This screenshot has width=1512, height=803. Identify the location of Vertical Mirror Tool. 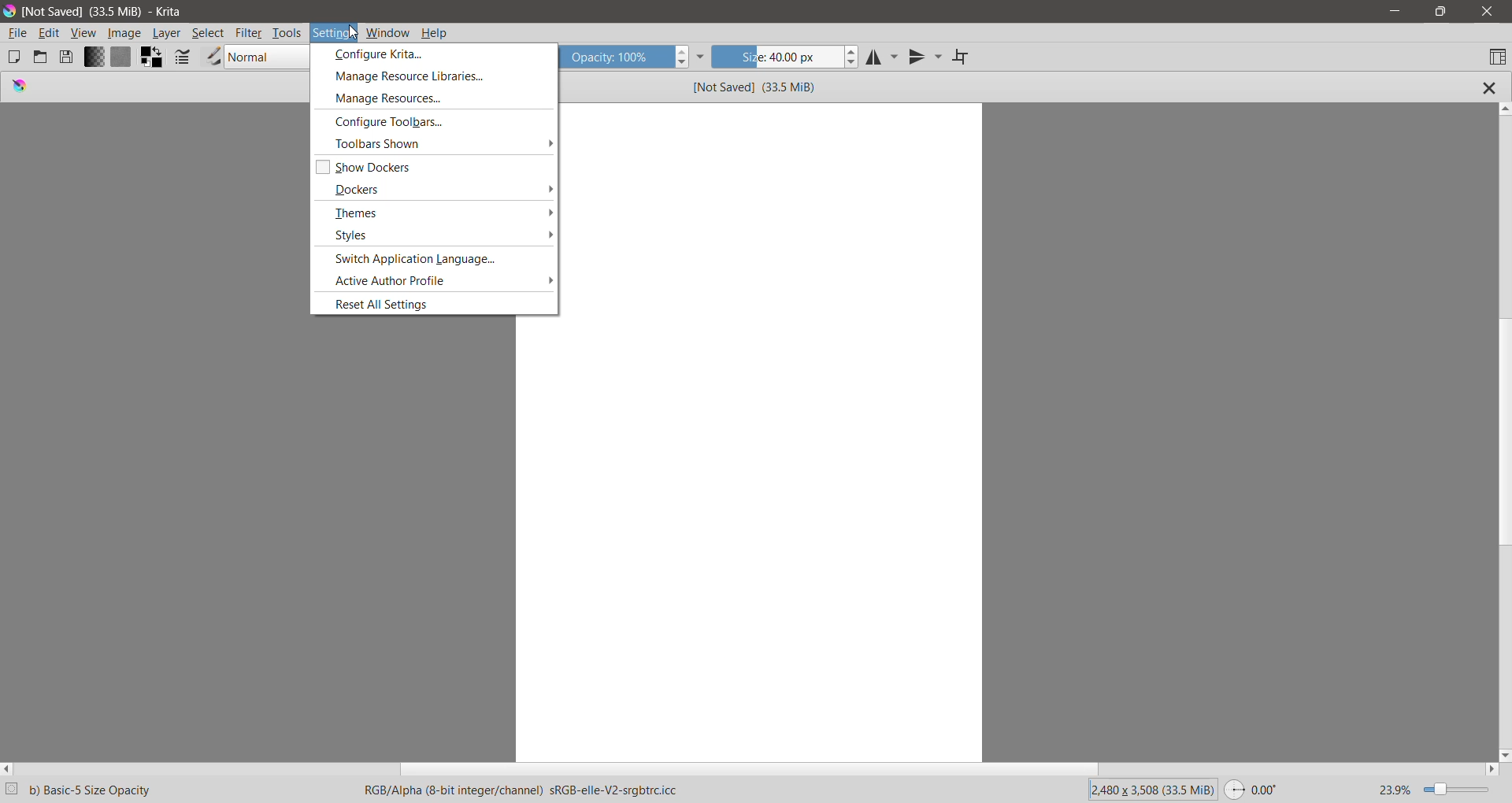
(925, 58).